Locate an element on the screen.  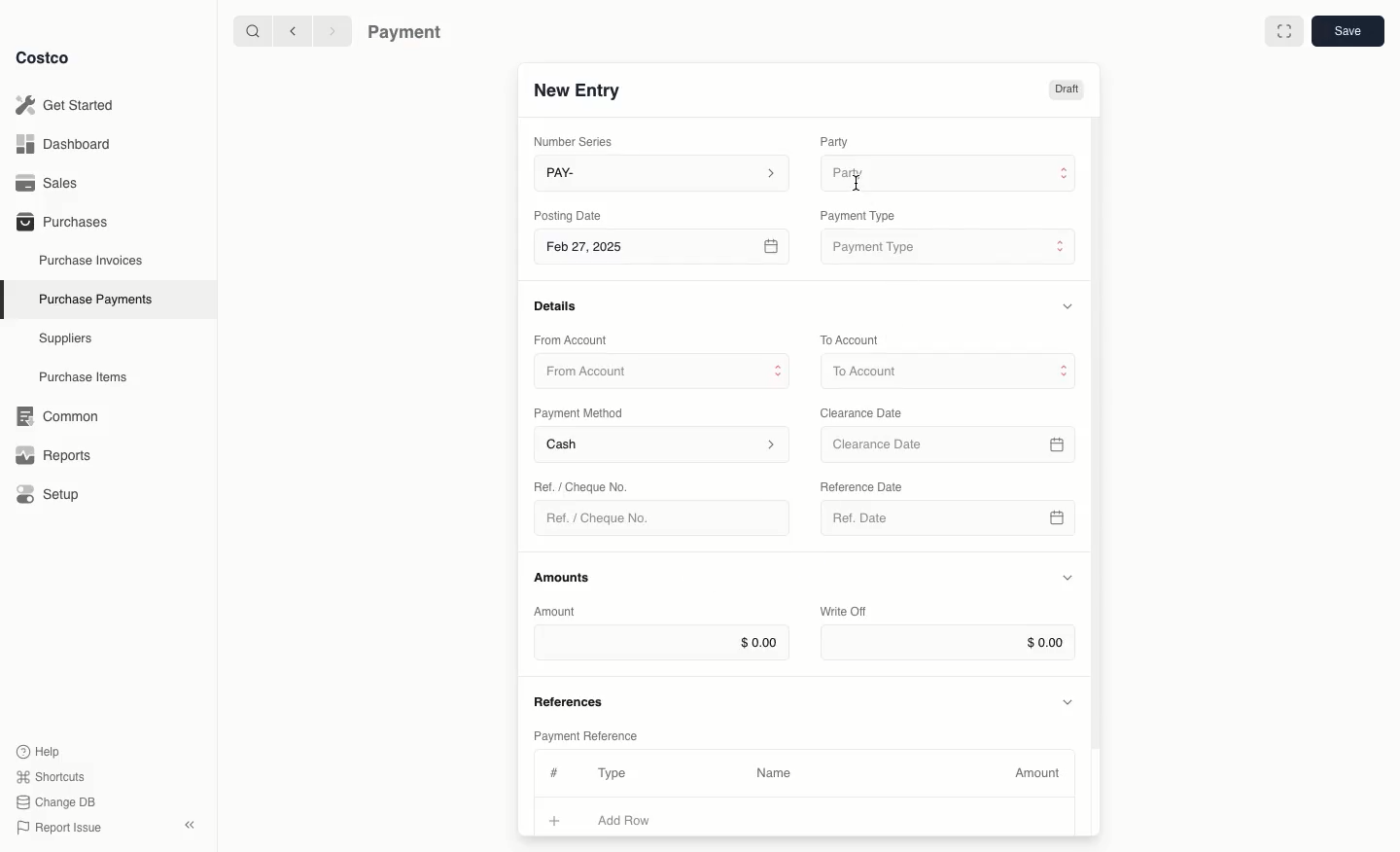
Draft is located at coordinates (1066, 89).